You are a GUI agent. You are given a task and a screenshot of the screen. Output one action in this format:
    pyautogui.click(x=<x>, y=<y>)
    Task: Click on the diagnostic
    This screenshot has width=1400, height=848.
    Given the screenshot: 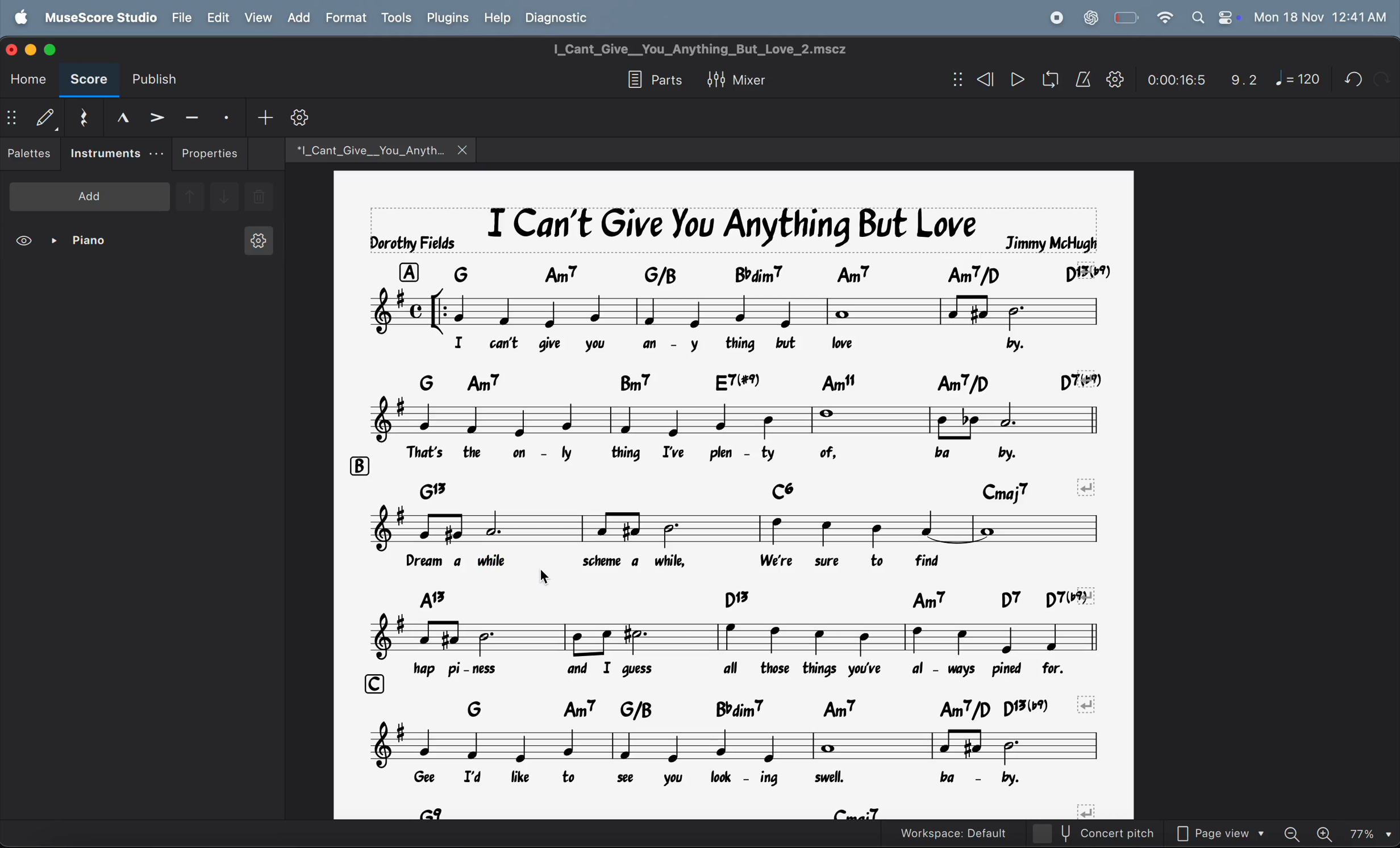 What is the action you would take?
    pyautogui.click(x=562, y=19)
    